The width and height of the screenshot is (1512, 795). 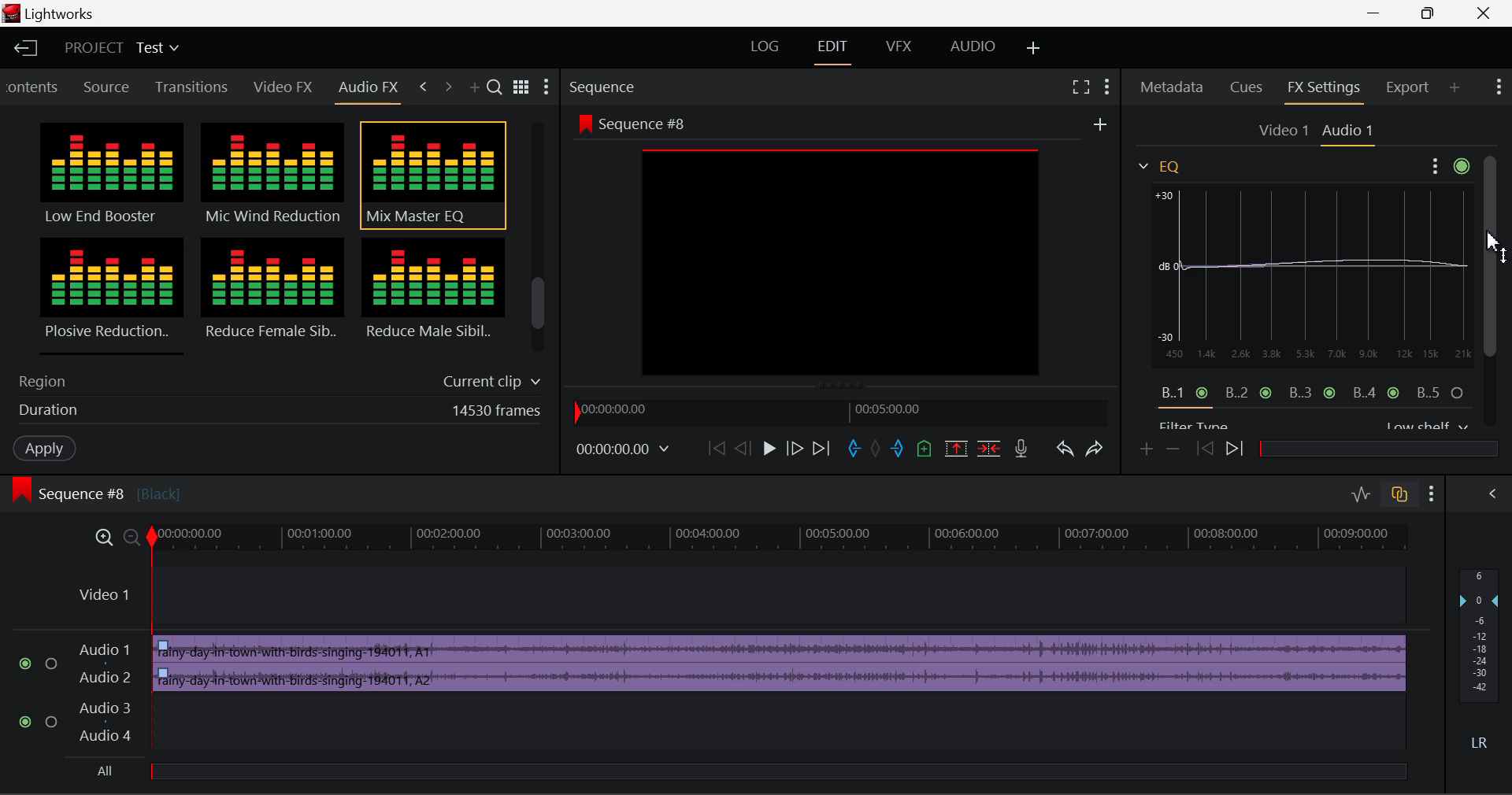 I want to click on Decibel Level, so click(x=1482, y=663).